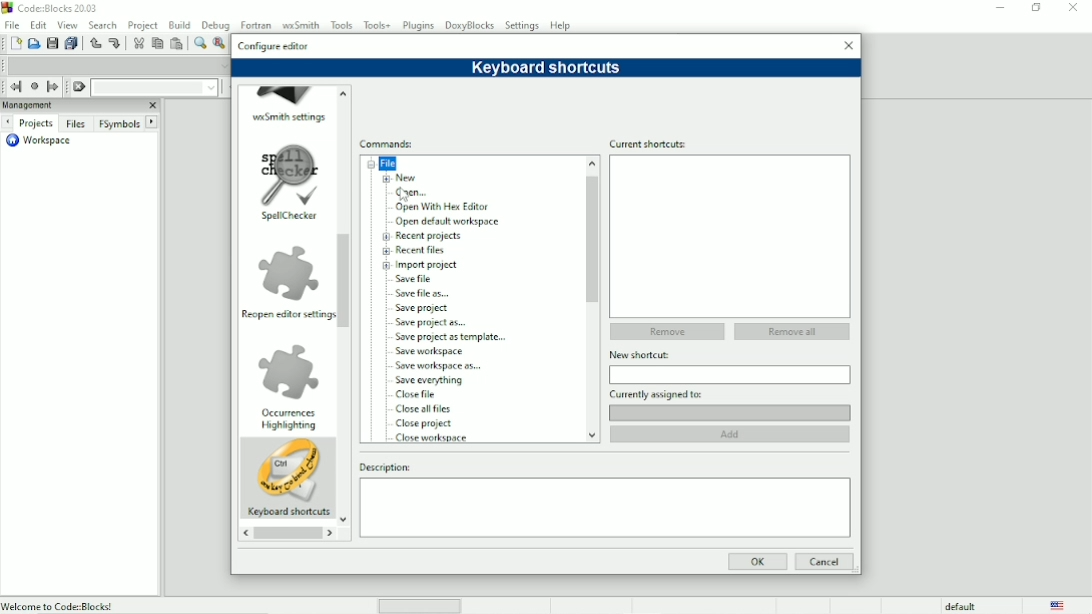 This screenshot has height=614, width=1092. Describe the element at coordinates (470, 25) in the screenshot. I see `DoxyBlocks` at that location.